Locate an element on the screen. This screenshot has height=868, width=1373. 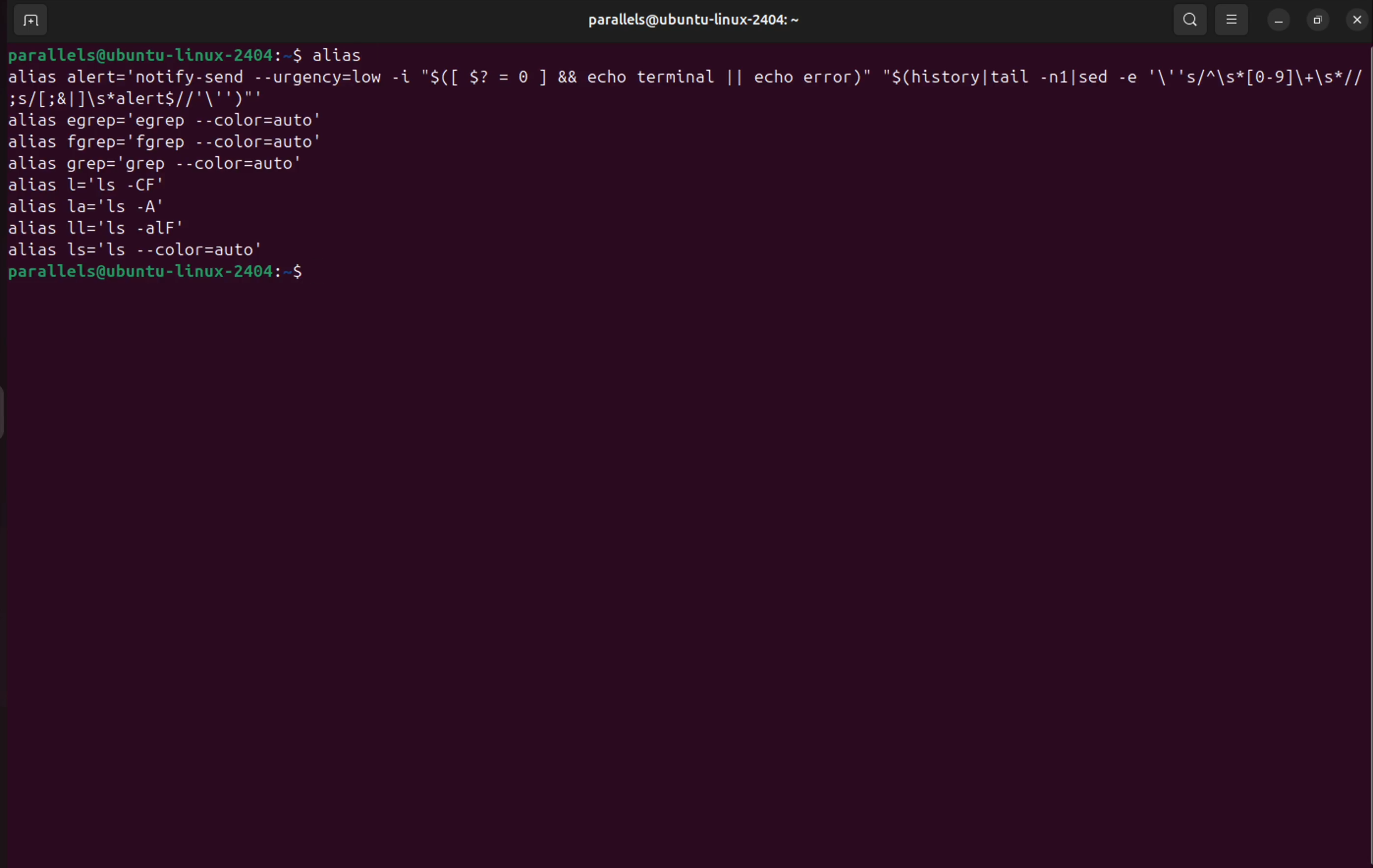
add terminals is located at coordinates (29, 20).